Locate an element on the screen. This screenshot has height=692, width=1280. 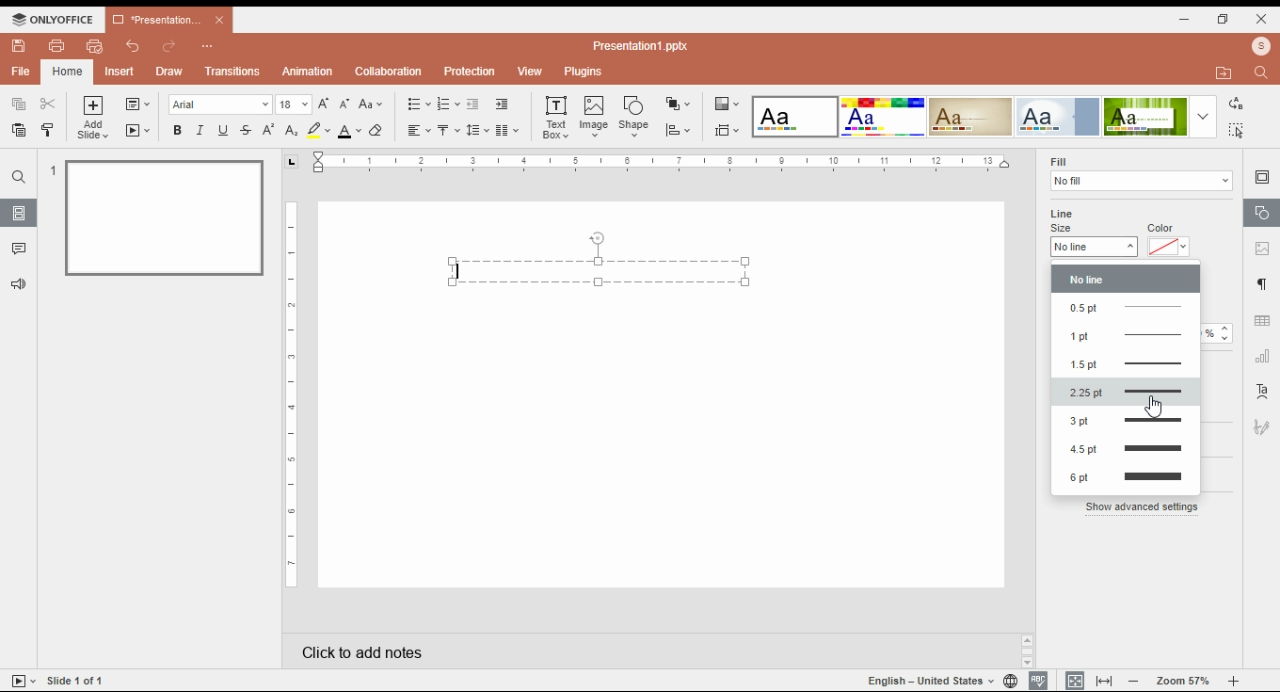
language is located at coordinates (928, 681).